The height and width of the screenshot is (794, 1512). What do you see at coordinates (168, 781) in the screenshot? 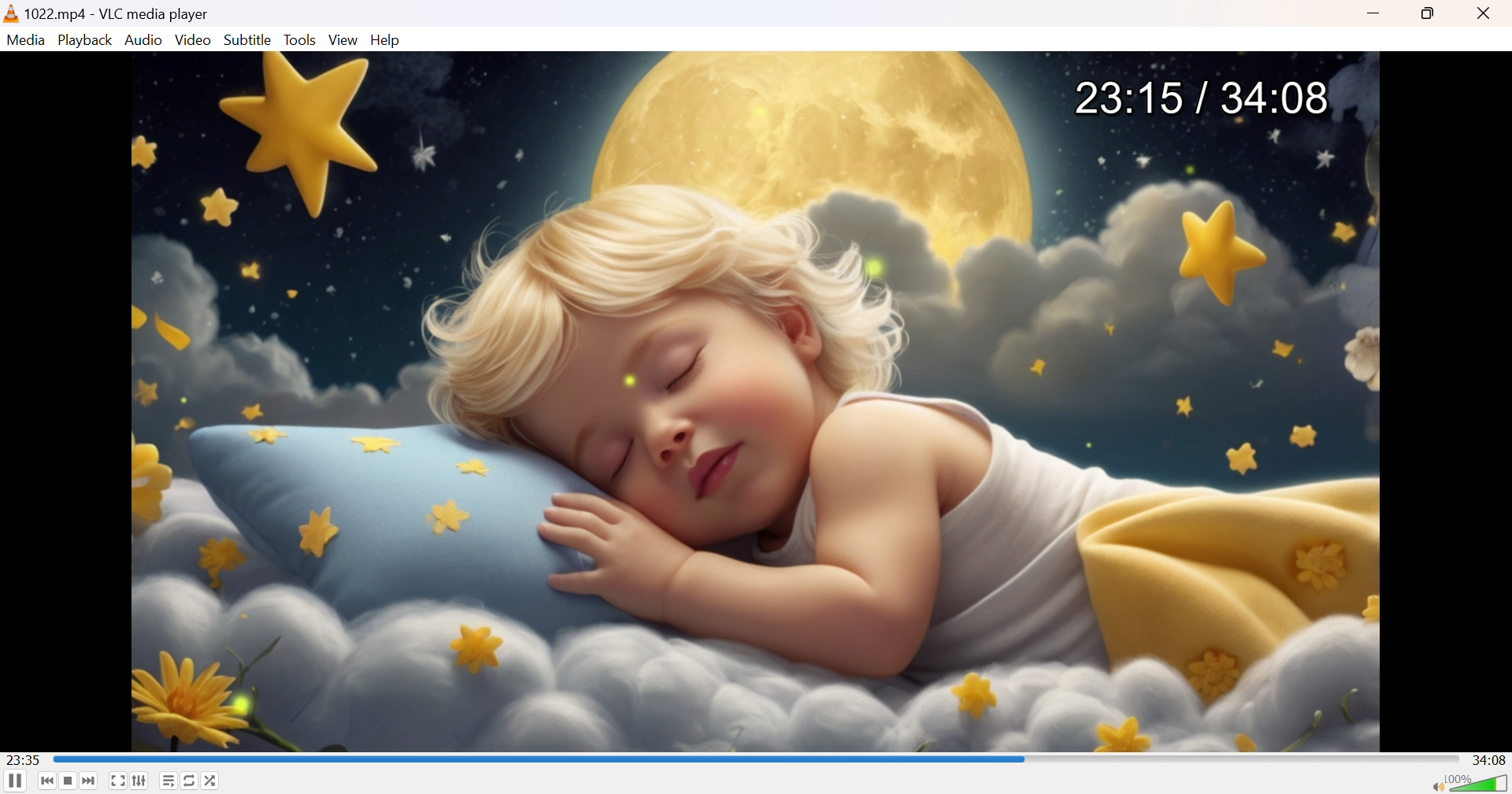
I see `Toggle playlist` at bounding box center [168, 781].